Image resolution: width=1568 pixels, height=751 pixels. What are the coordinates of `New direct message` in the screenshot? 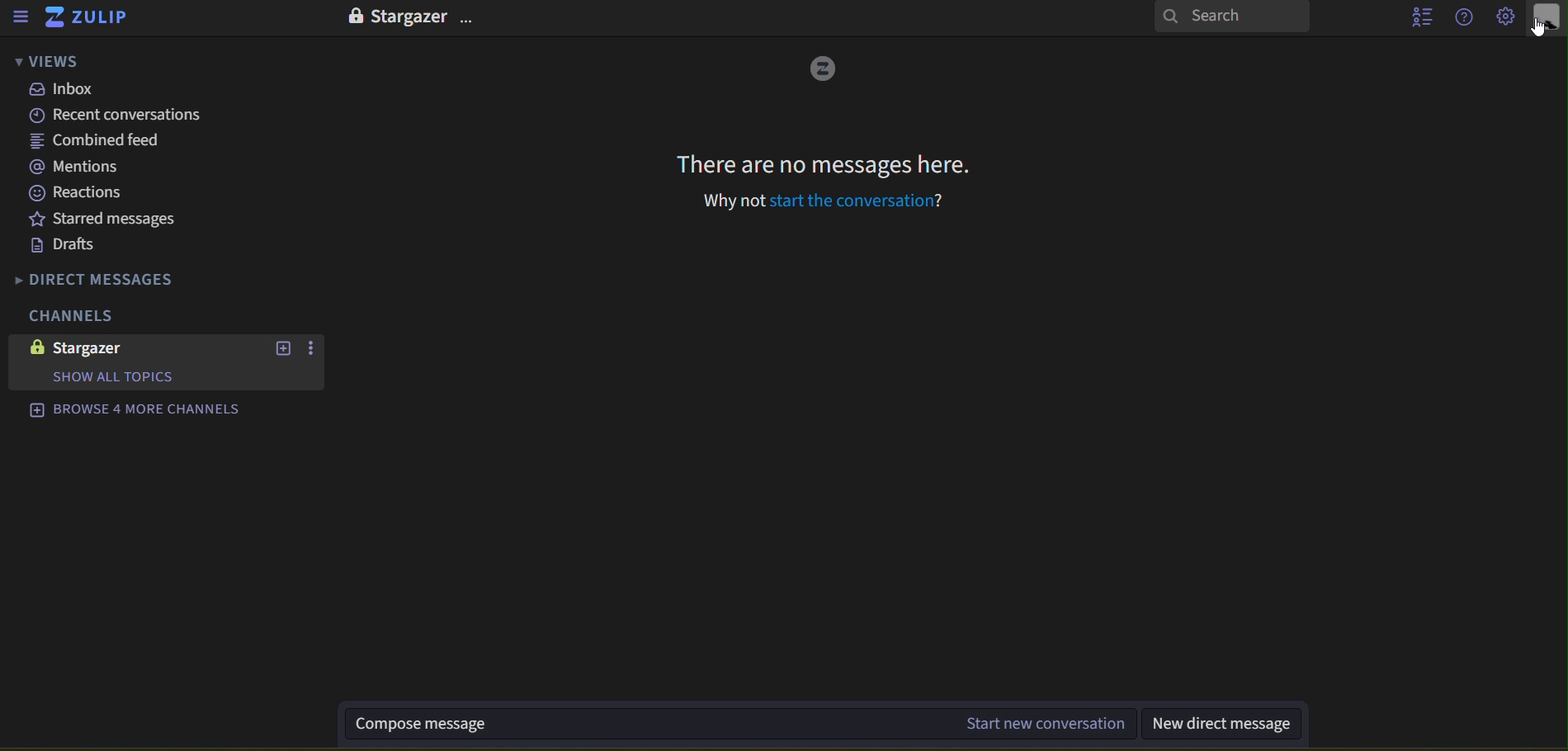 It's located at (1230, 725).